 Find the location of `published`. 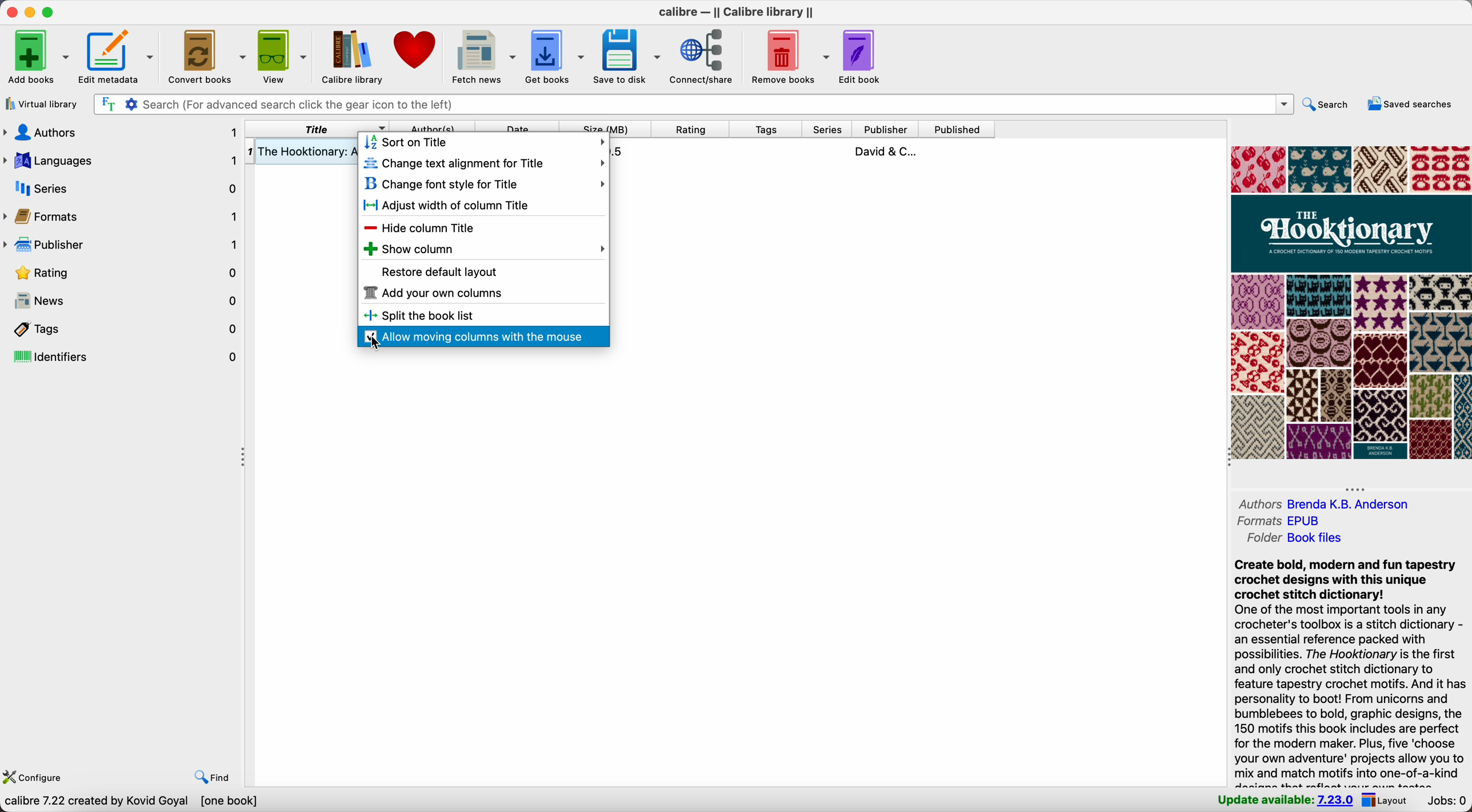

published is located at coordinates (958, 129).